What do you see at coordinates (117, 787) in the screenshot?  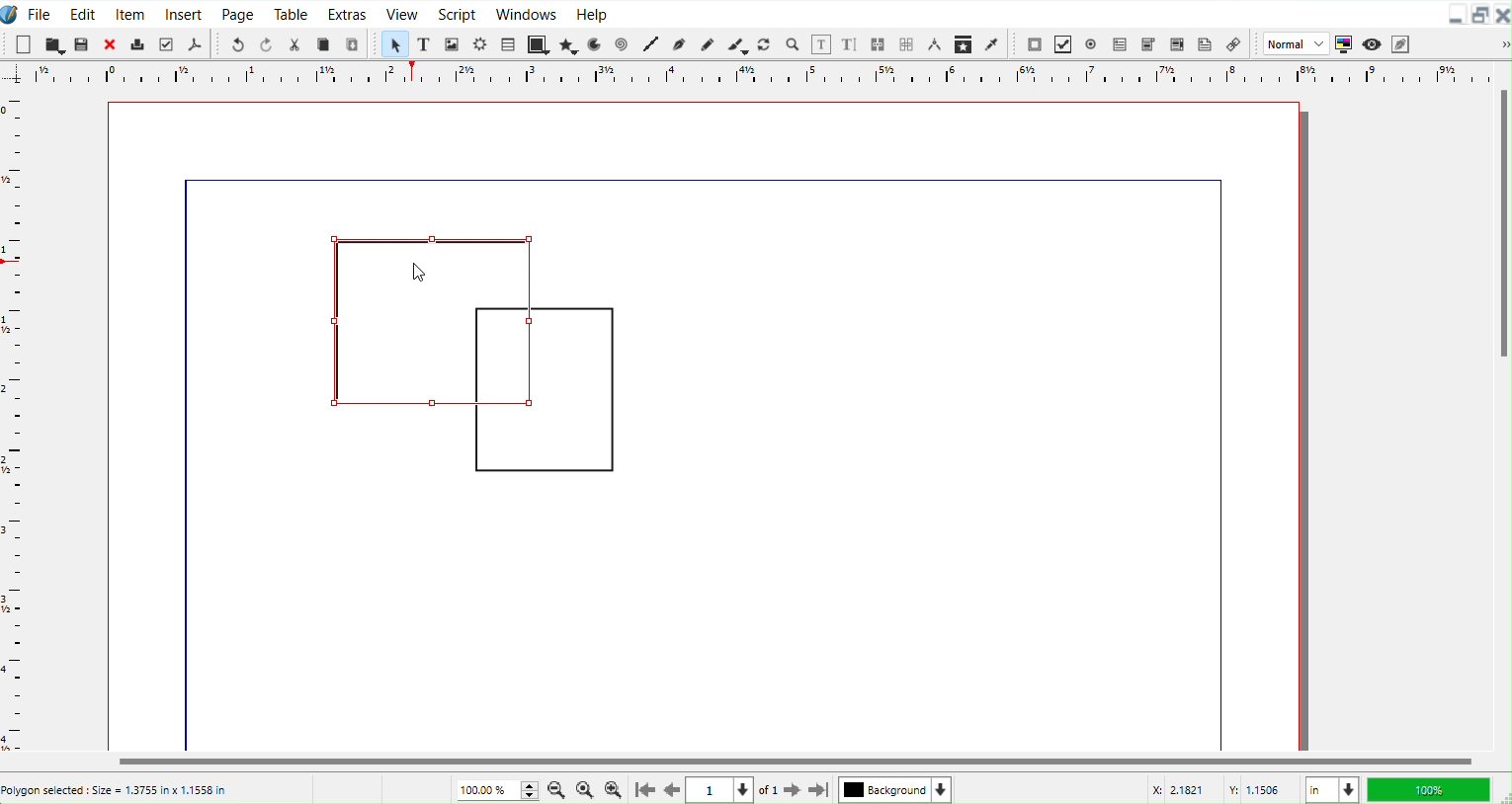 I see `Poligon selected : Size = 1.3755 in x 1.1558 in’` at bounding box center [117, 787].